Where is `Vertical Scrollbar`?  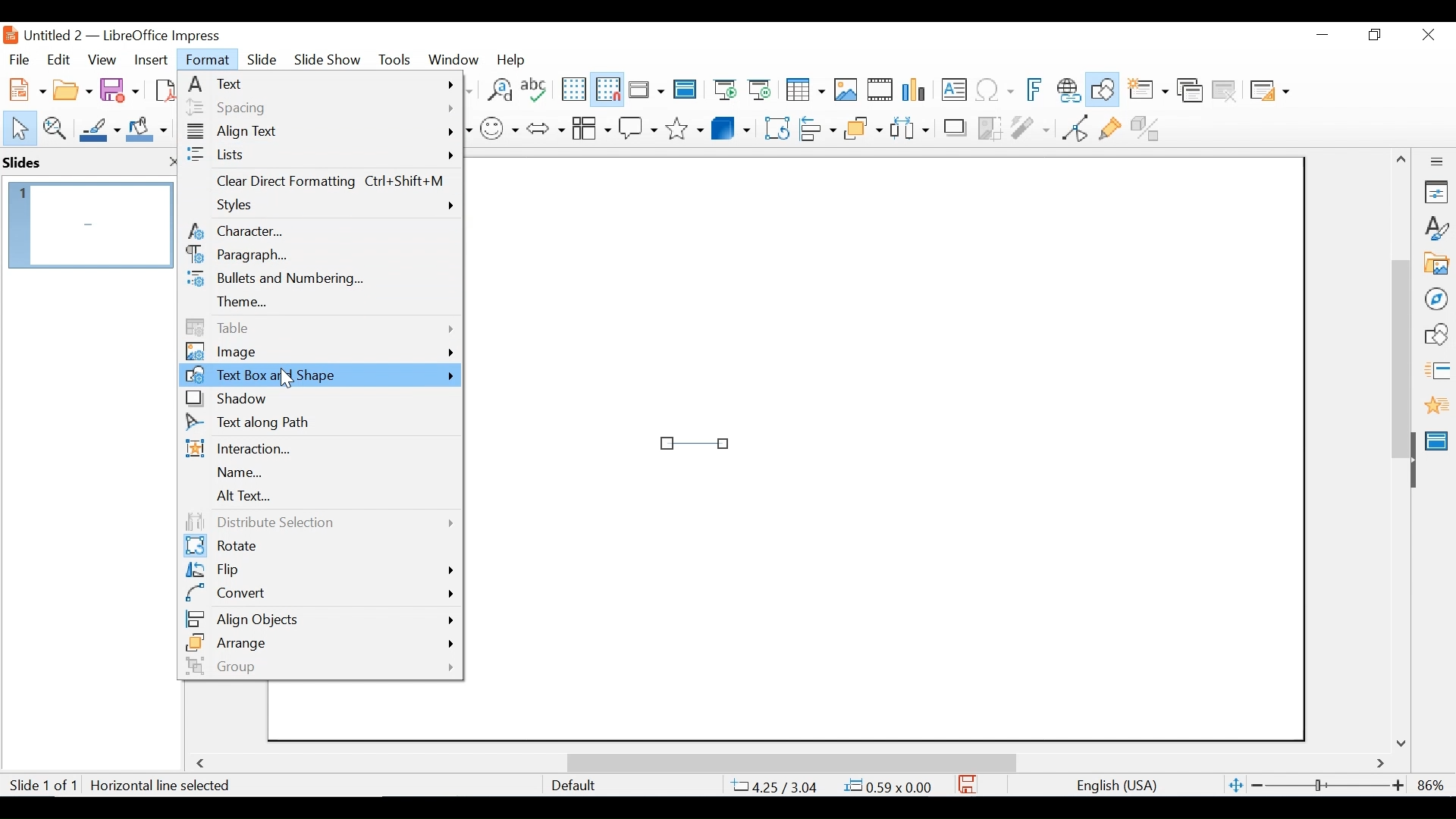
Vertical Scrollbar is located at coordinates (1400, 341).